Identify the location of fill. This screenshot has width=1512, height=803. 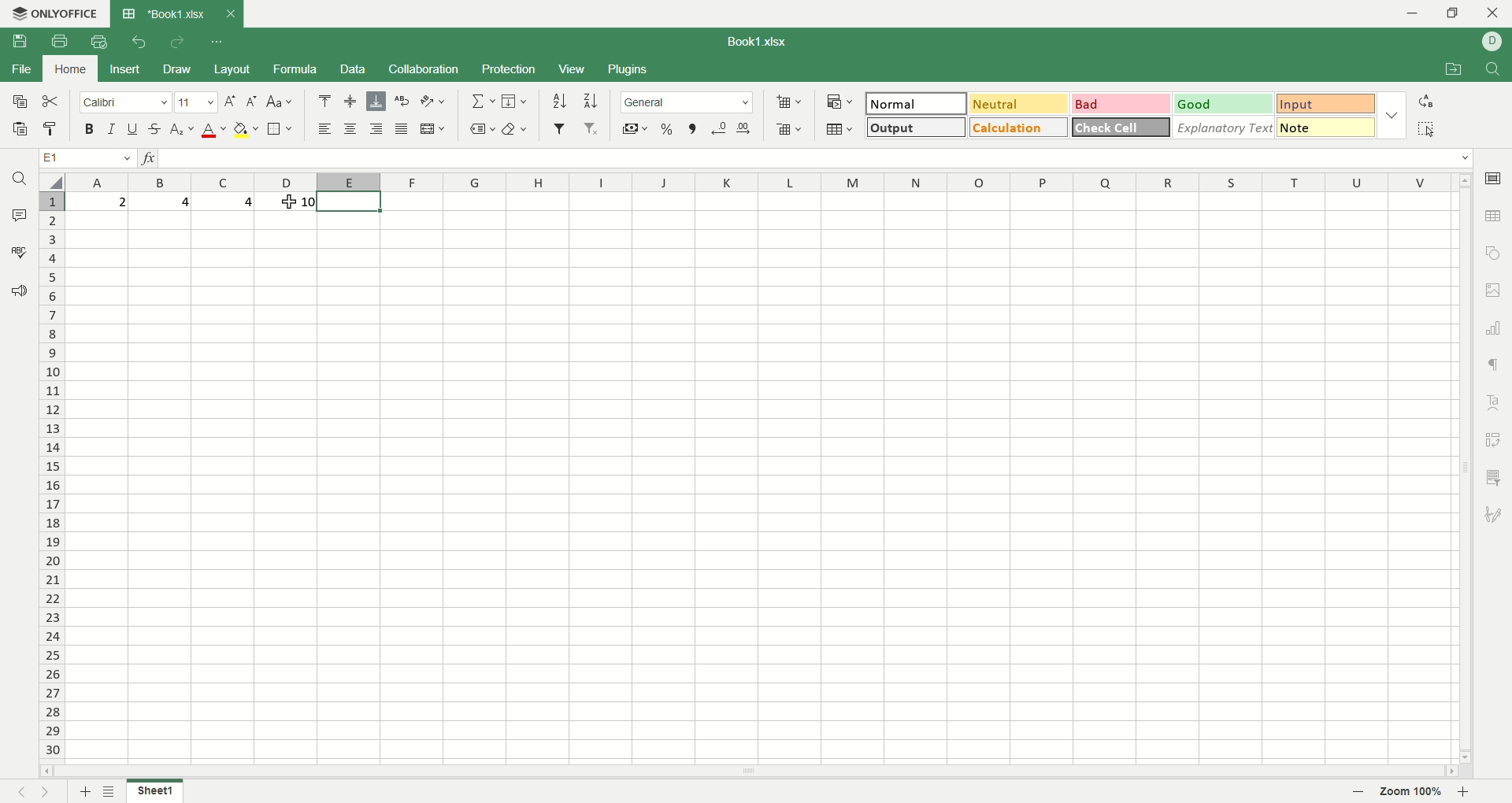
(517, 102).